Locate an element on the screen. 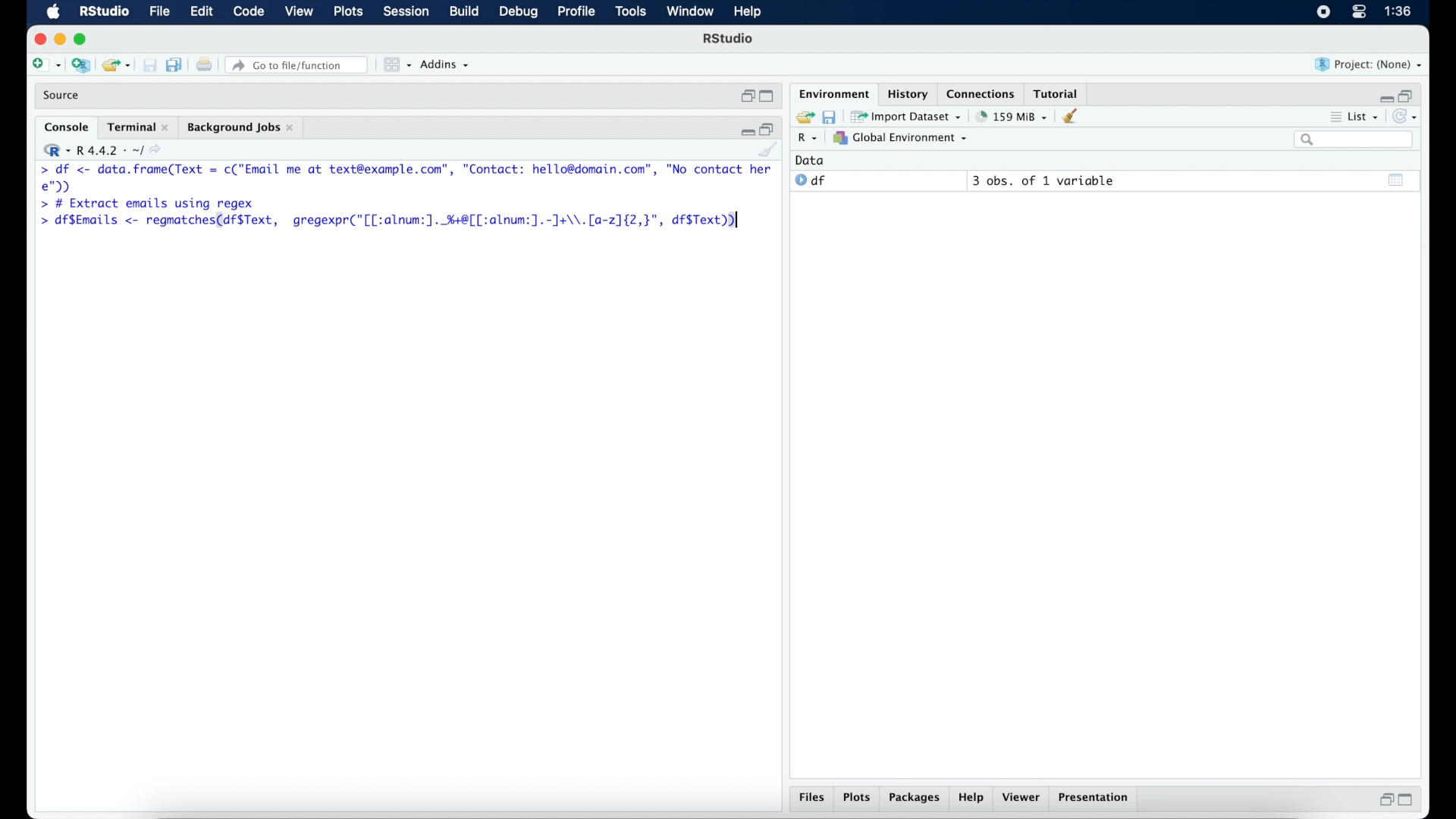  list is located at coordinates (1359, 117).